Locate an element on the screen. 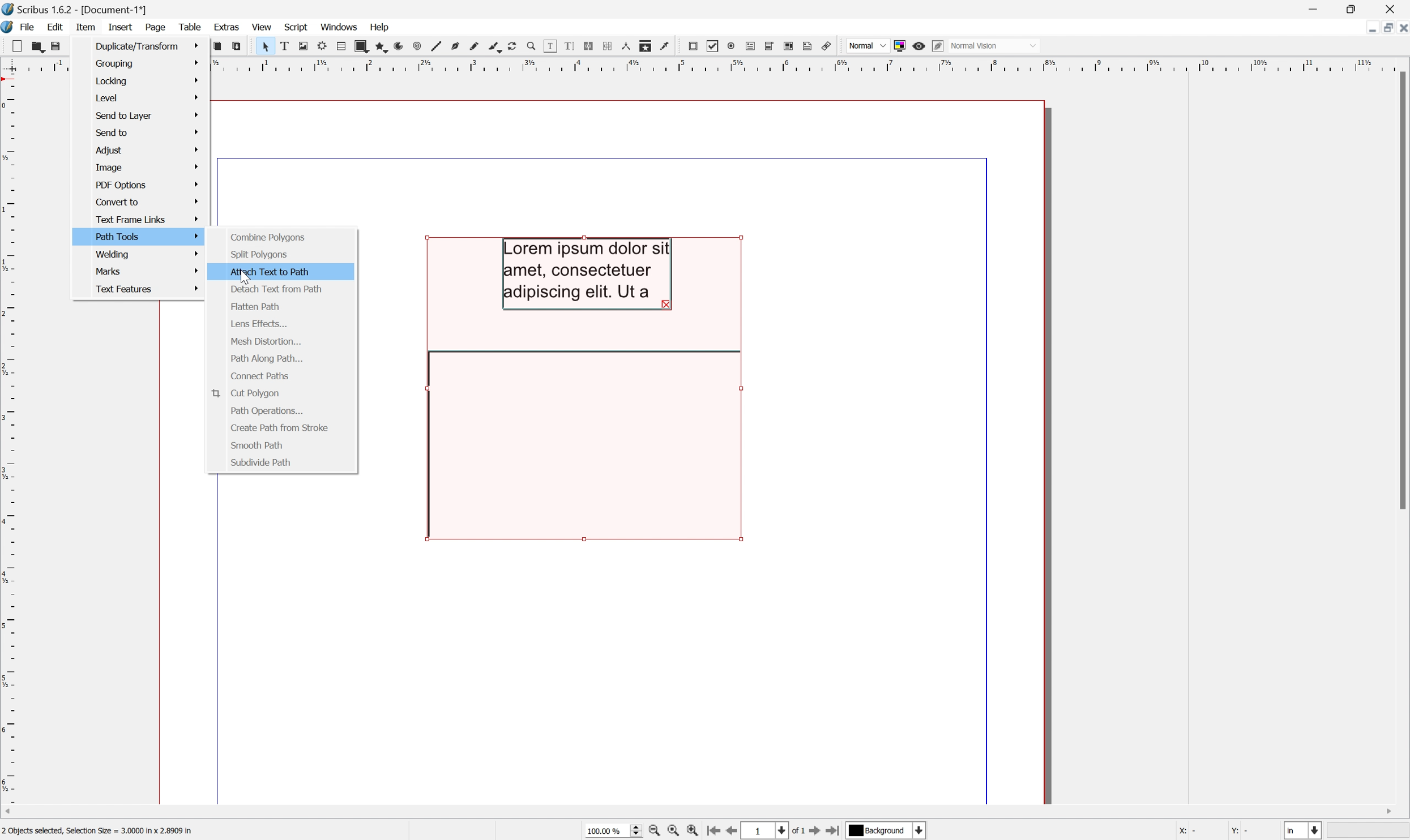 The image size is (1410, 840). Go to the first page is located at coordinates (715, 832).